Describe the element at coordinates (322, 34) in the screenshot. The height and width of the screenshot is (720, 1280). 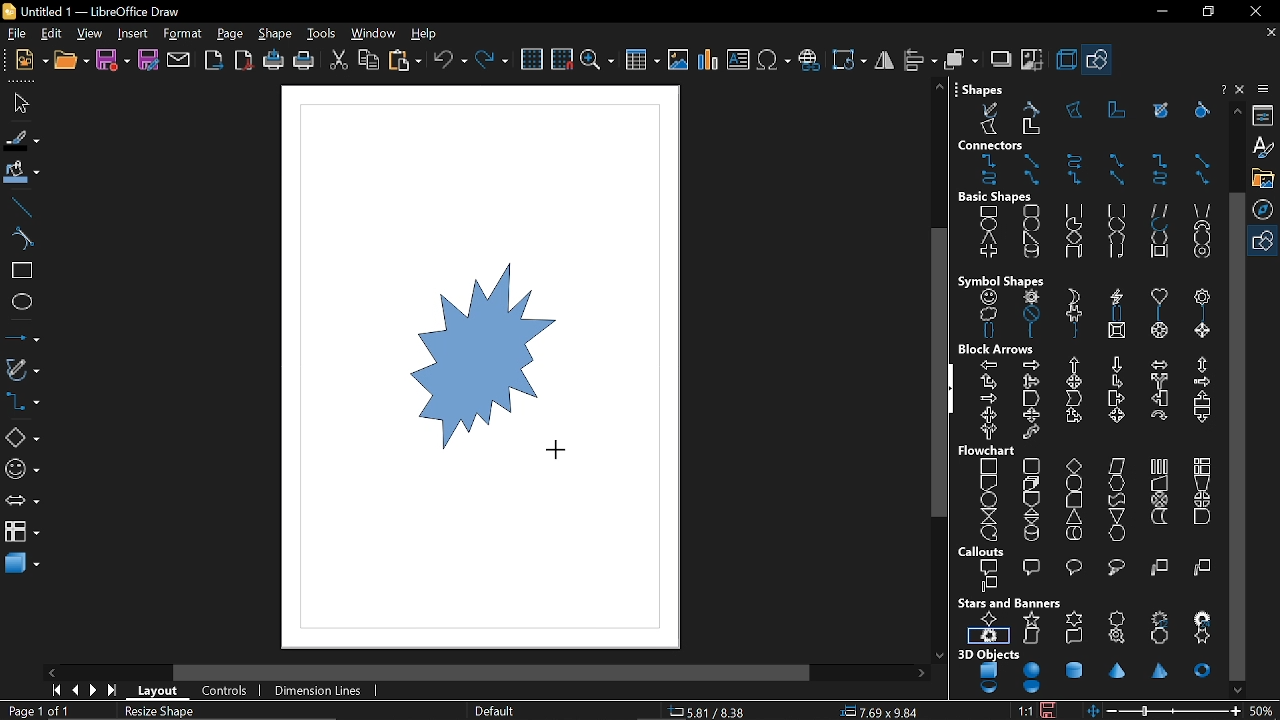
I see `tools` at that location.